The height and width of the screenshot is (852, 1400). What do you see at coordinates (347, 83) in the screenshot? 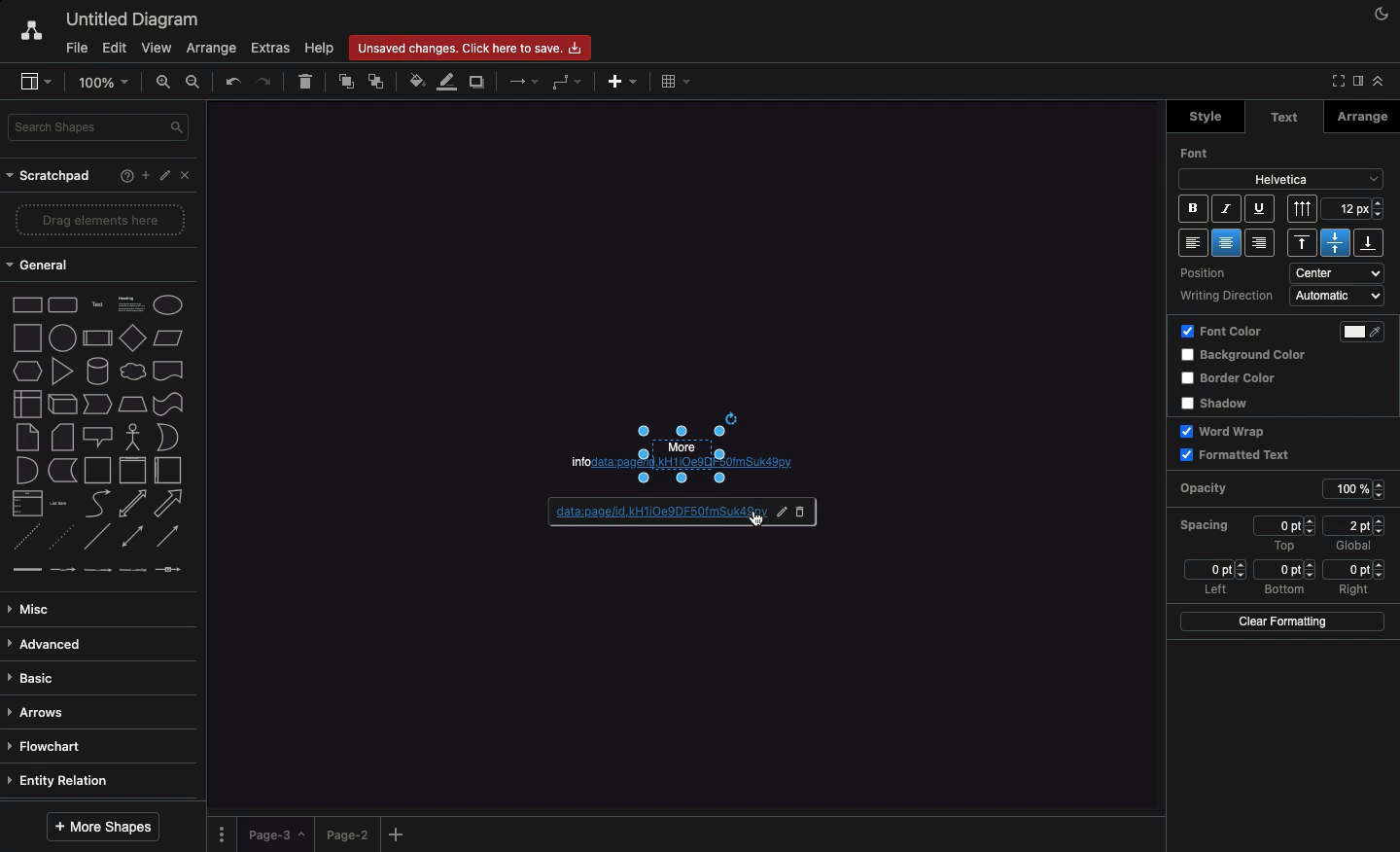
I see `To front` at bounding box center [347, 83].